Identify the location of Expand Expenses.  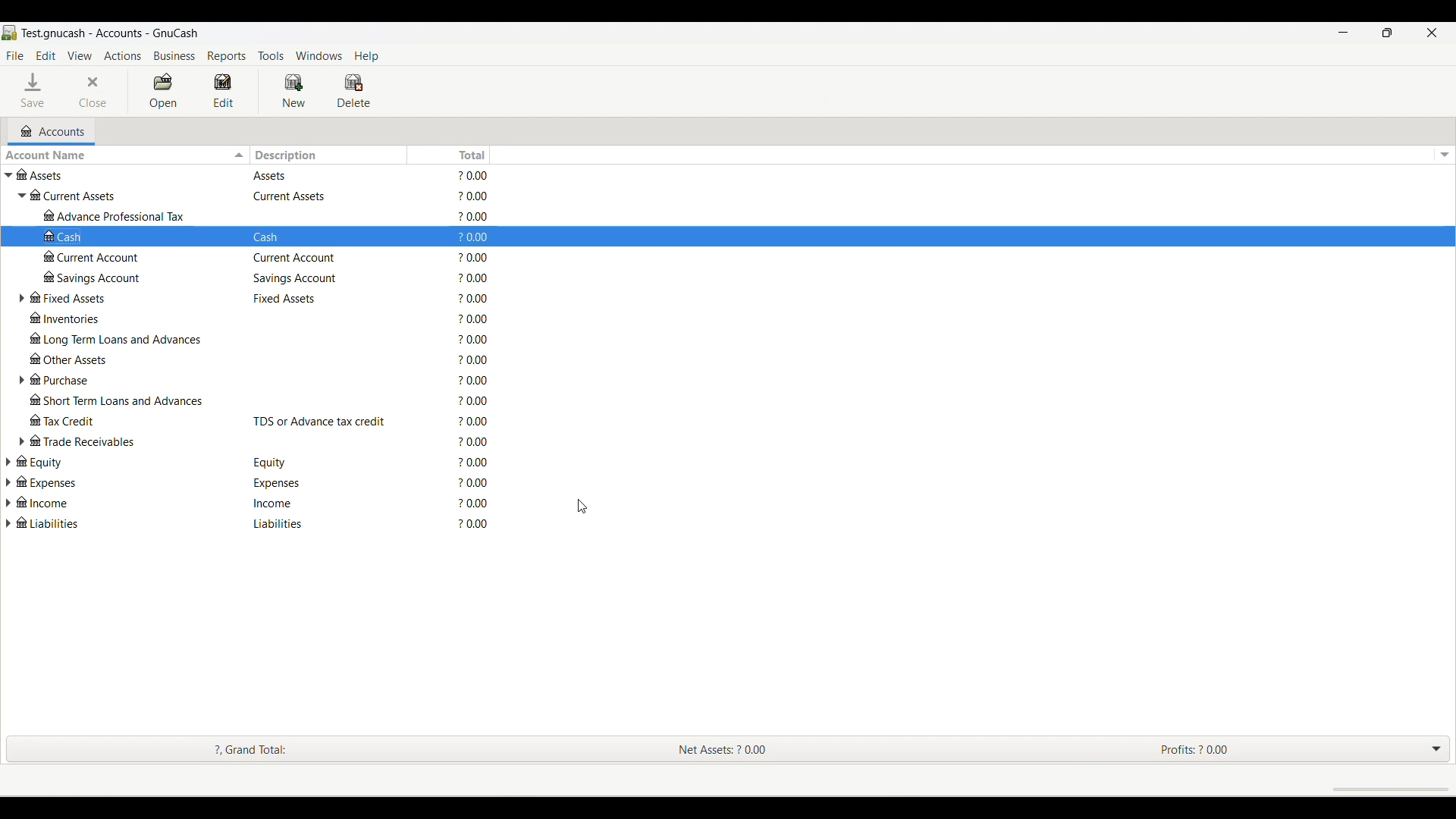
(8, 482).